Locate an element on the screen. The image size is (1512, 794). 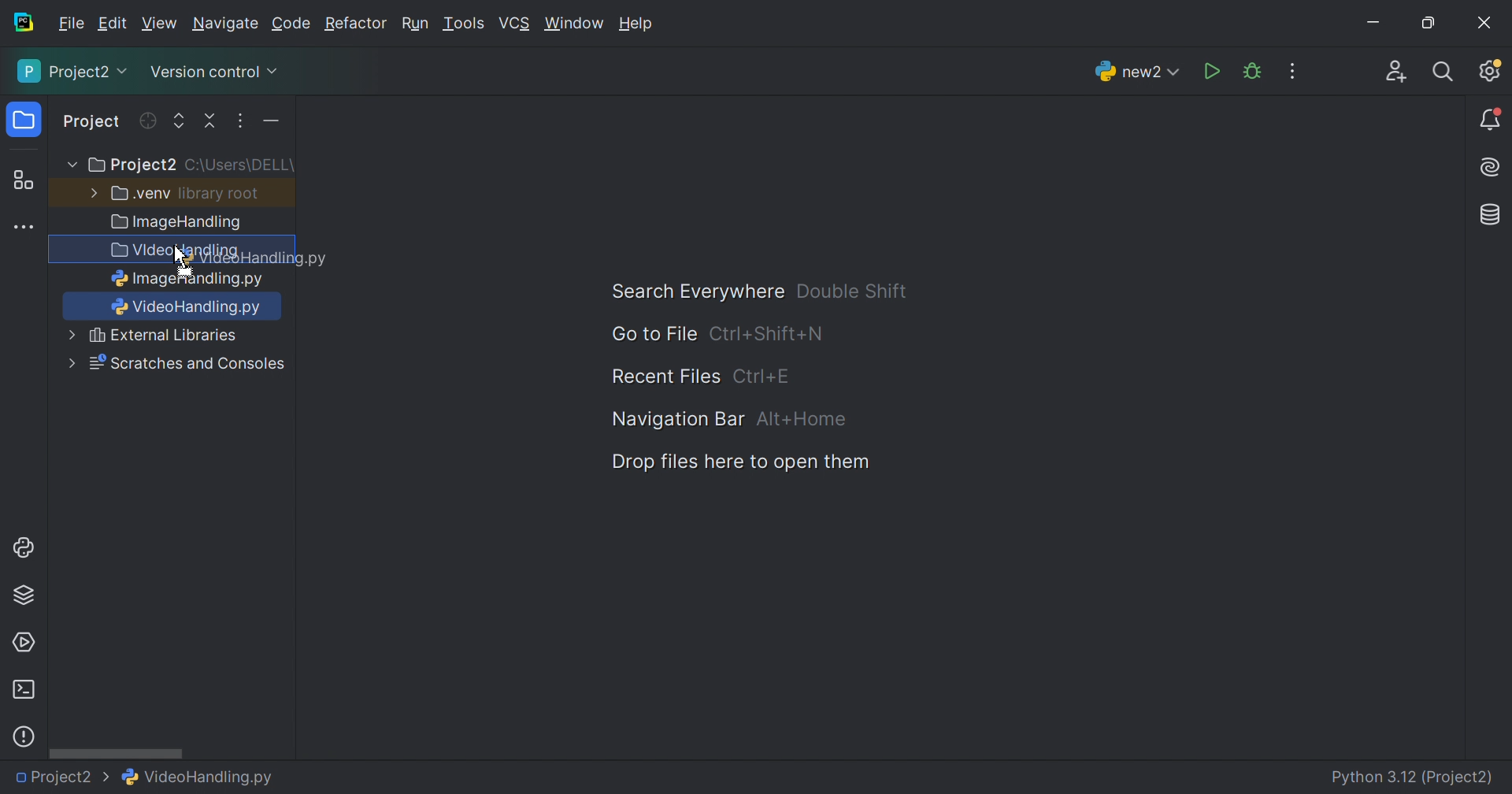
Terminal is located at coordinates (23, 690).